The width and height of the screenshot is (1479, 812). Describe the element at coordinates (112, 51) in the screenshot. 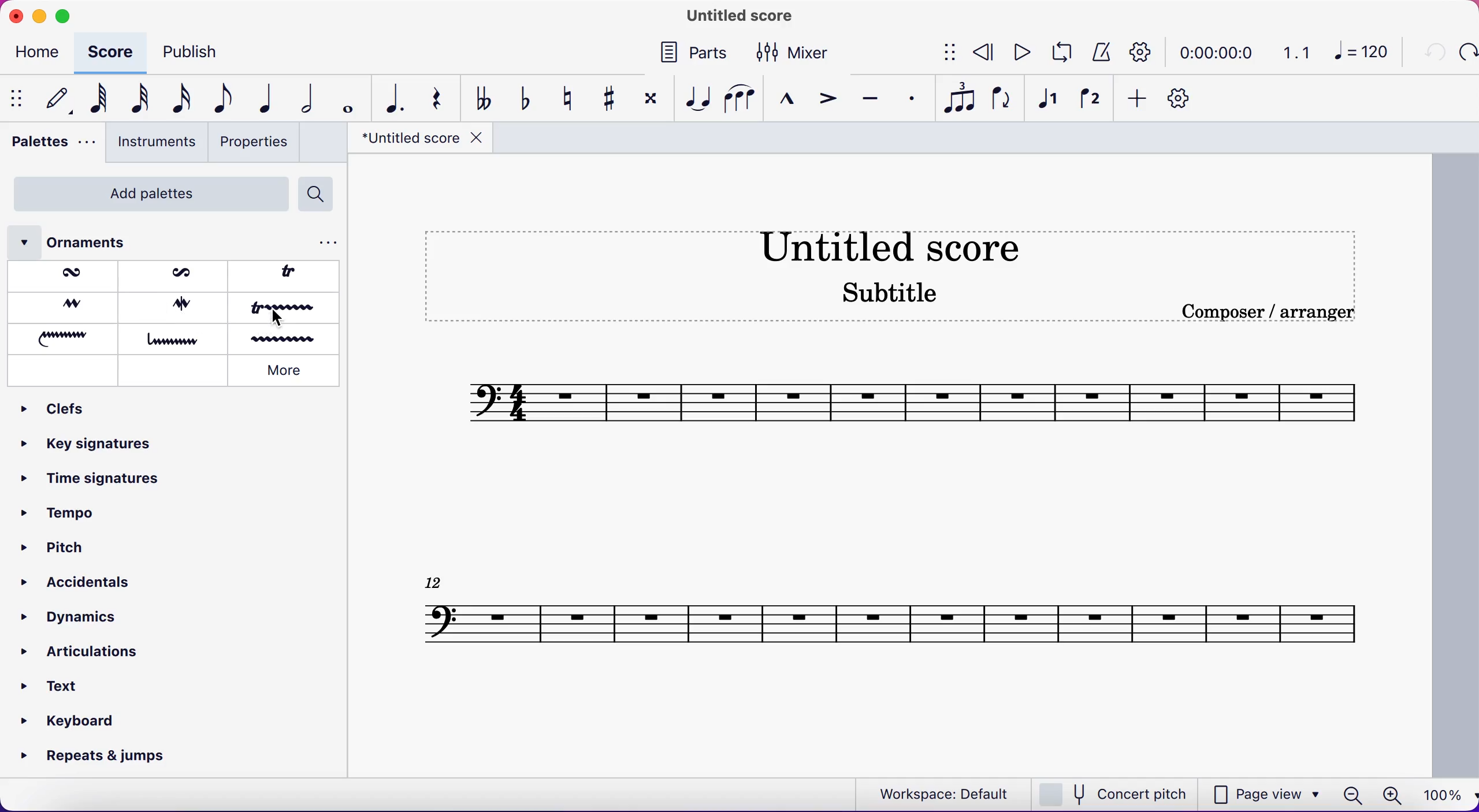

I see `score` at that location.